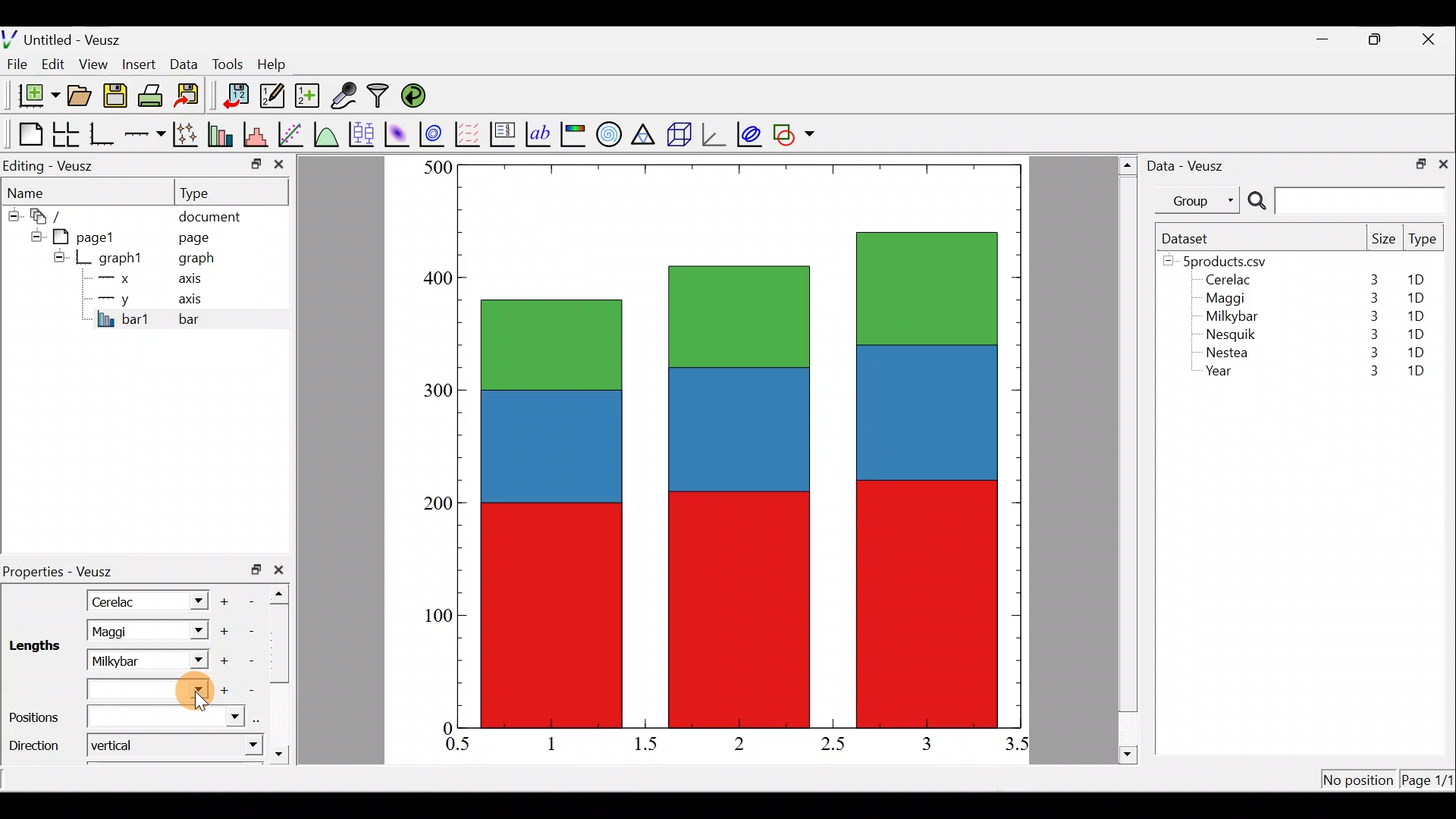 This screenshot has height=819, width=1456. Describe the element at coordinates (1359, 781) in the screenshot. I see `No position` at that location.